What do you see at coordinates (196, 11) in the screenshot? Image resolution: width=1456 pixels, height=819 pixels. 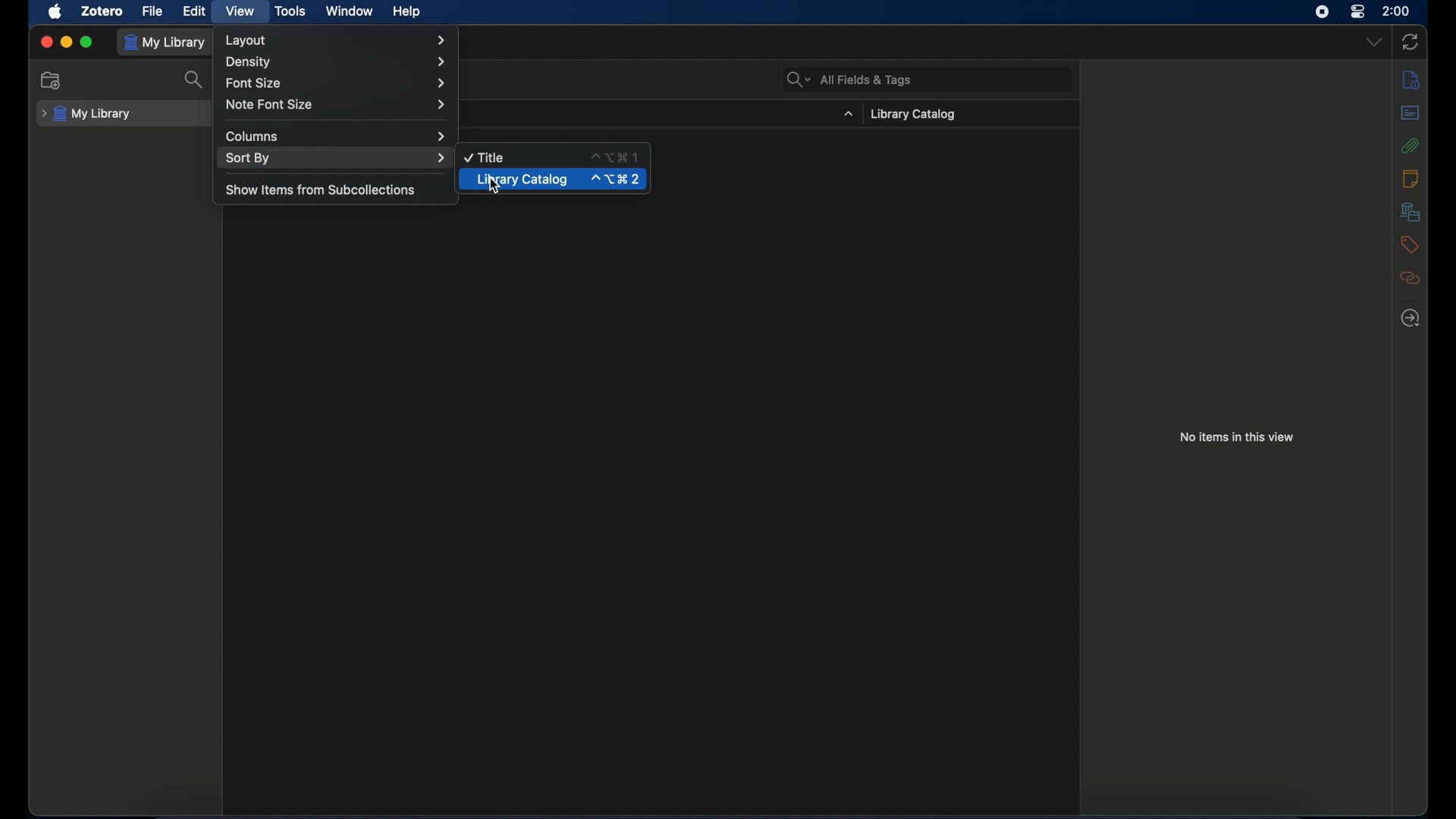 I see `edit` at bounding box center [196, 11].